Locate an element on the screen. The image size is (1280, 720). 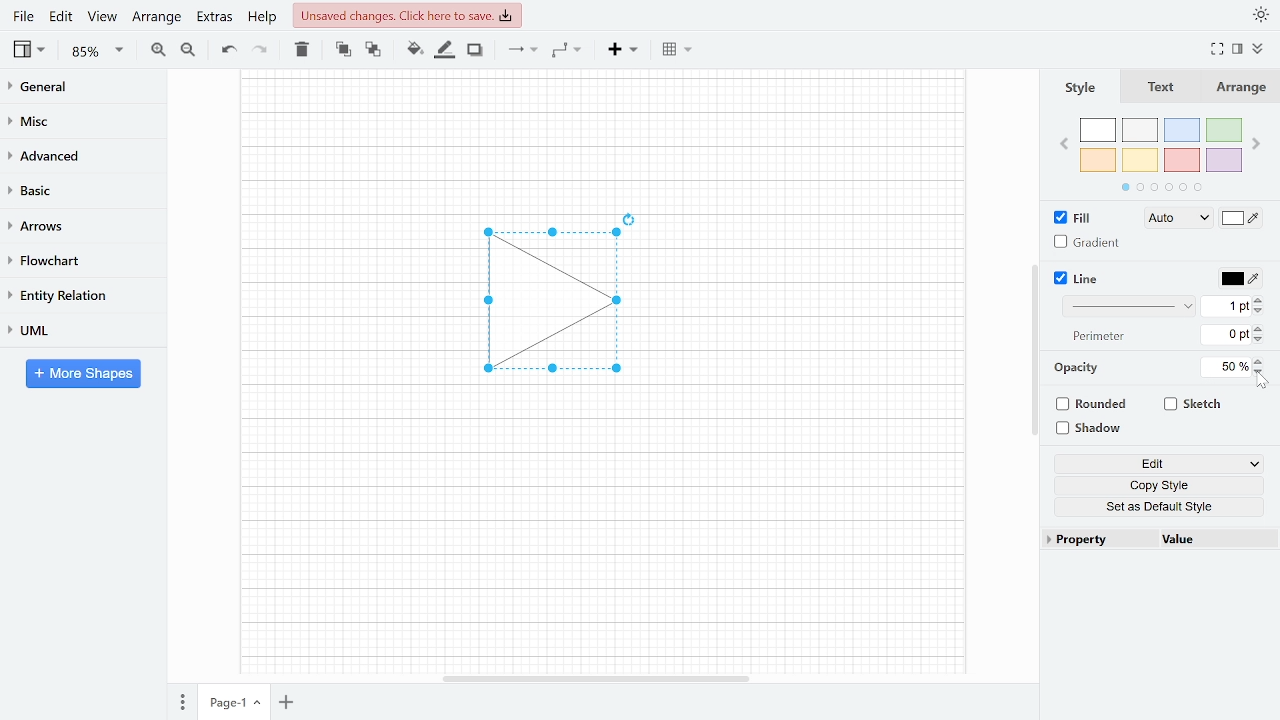
Zoom in is located at coordinates (158, 49).